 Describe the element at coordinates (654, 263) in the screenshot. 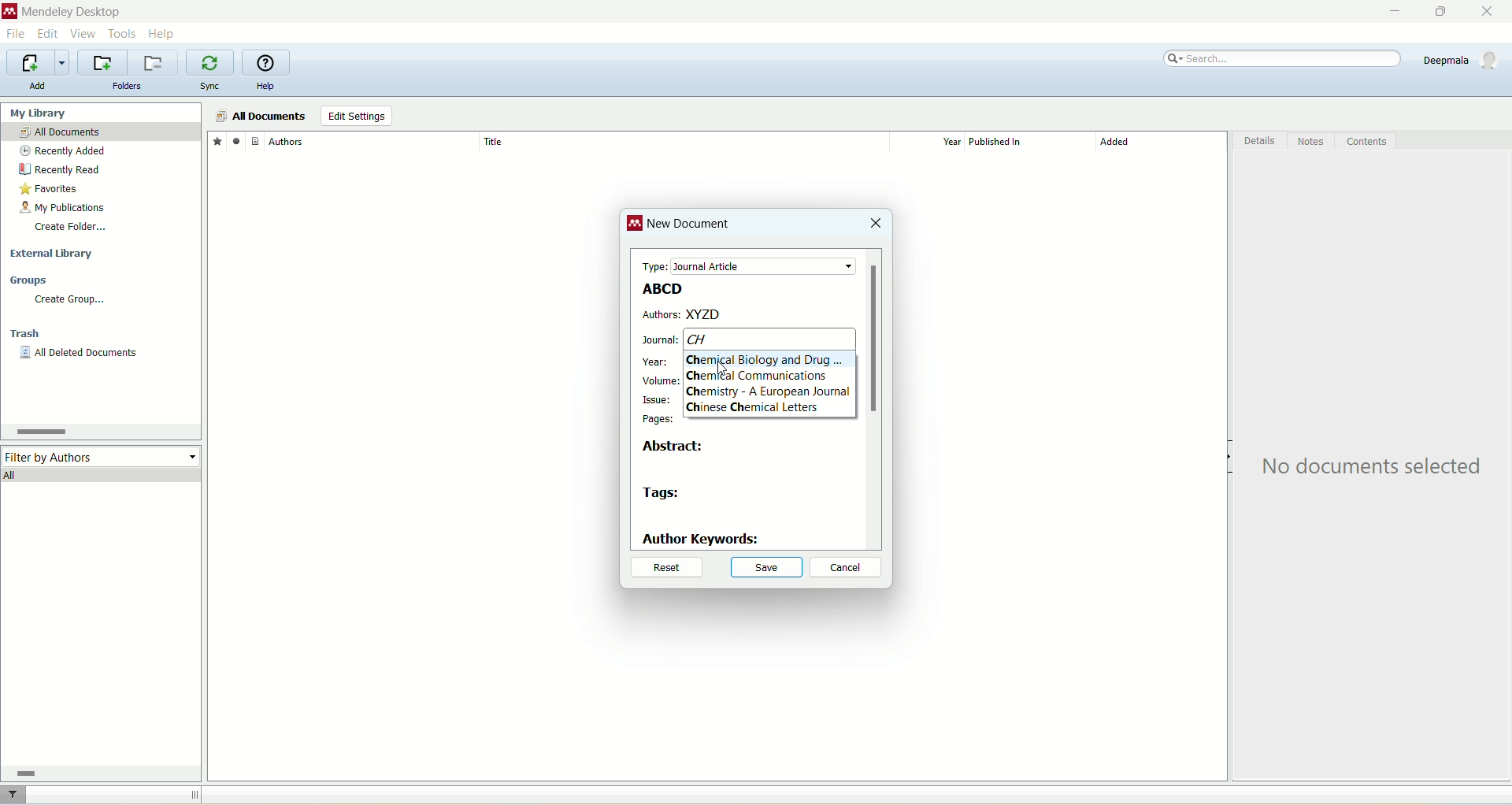

I see `type` at that location.